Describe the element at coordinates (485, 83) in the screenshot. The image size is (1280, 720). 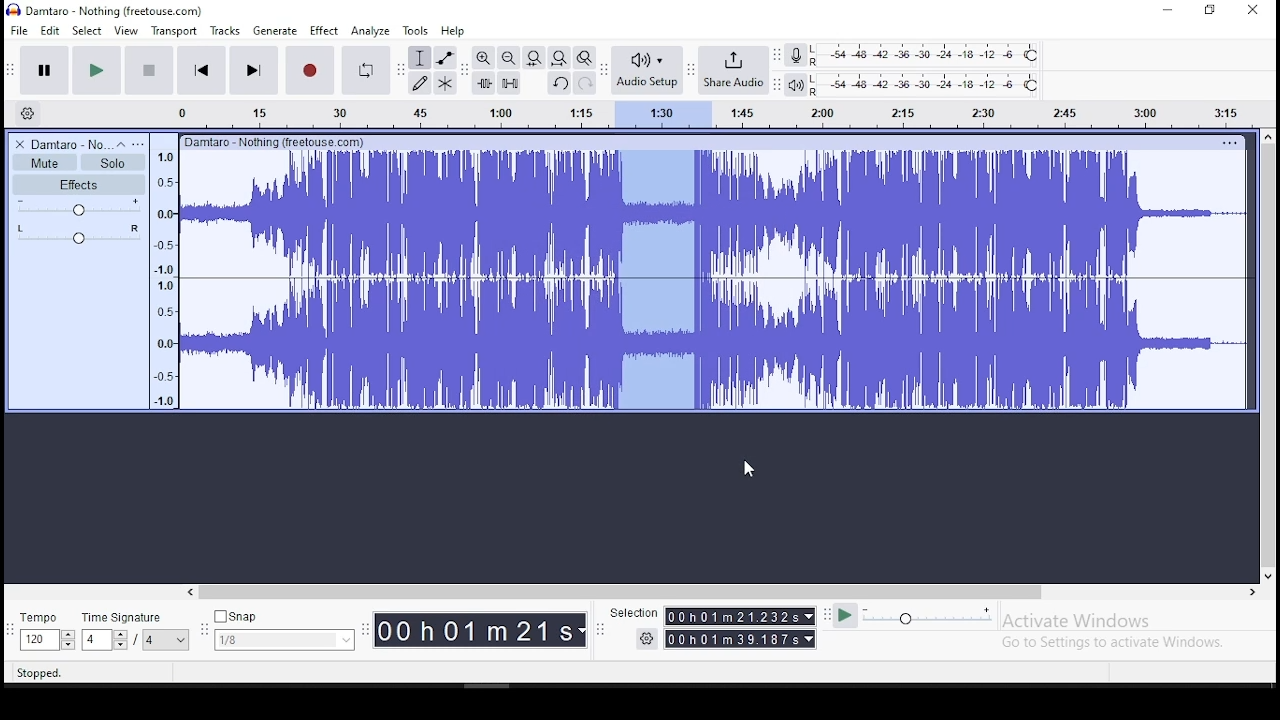
I see `trim audio outside selection` at that location.